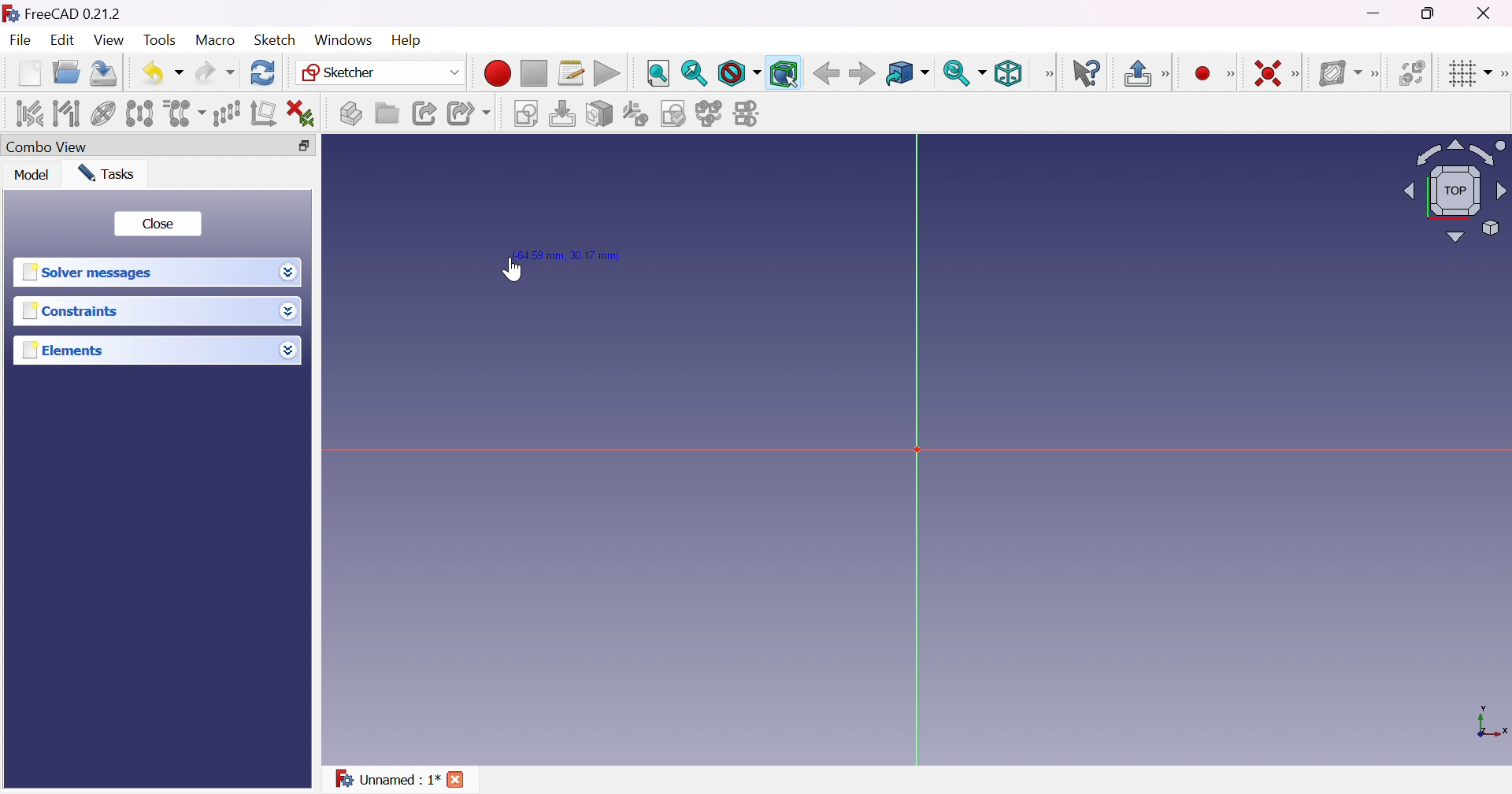 The image size is (1512, 794). Describe the element at coordinates (383, 71) in the screenshot. I see `Sketcher` at that location.